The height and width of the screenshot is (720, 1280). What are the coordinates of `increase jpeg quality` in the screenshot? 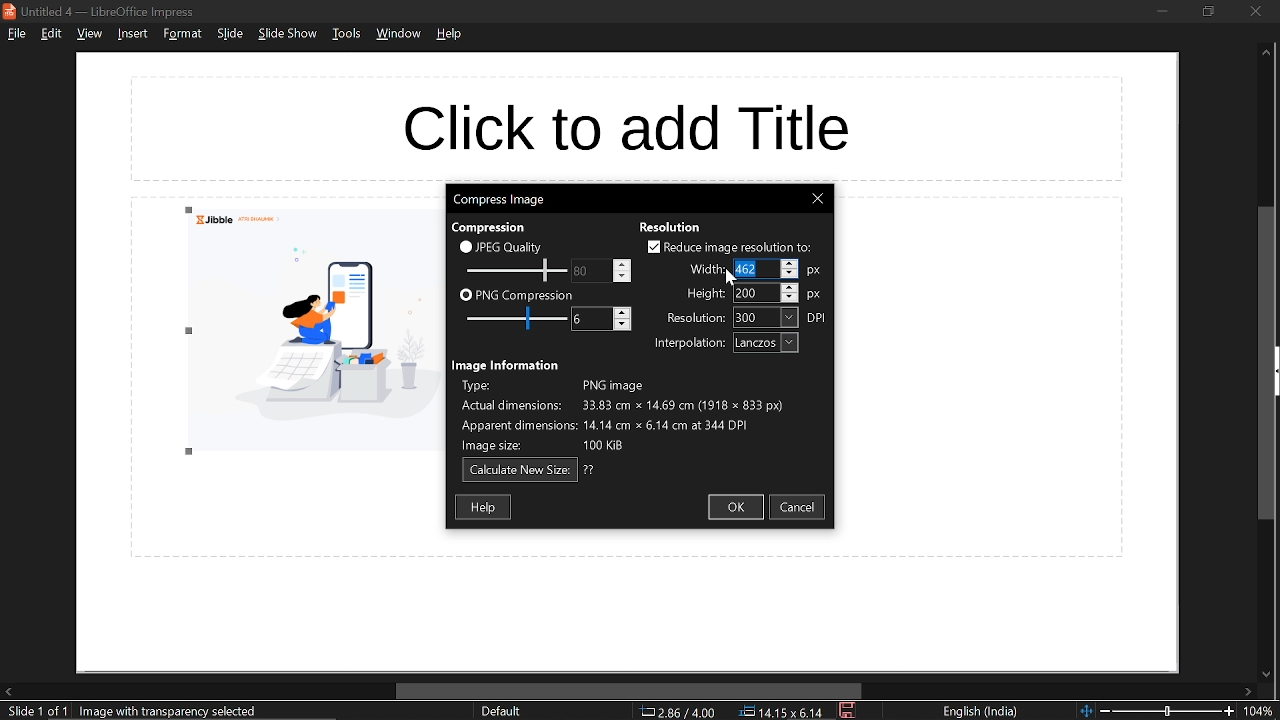 It's located at (622, 264).